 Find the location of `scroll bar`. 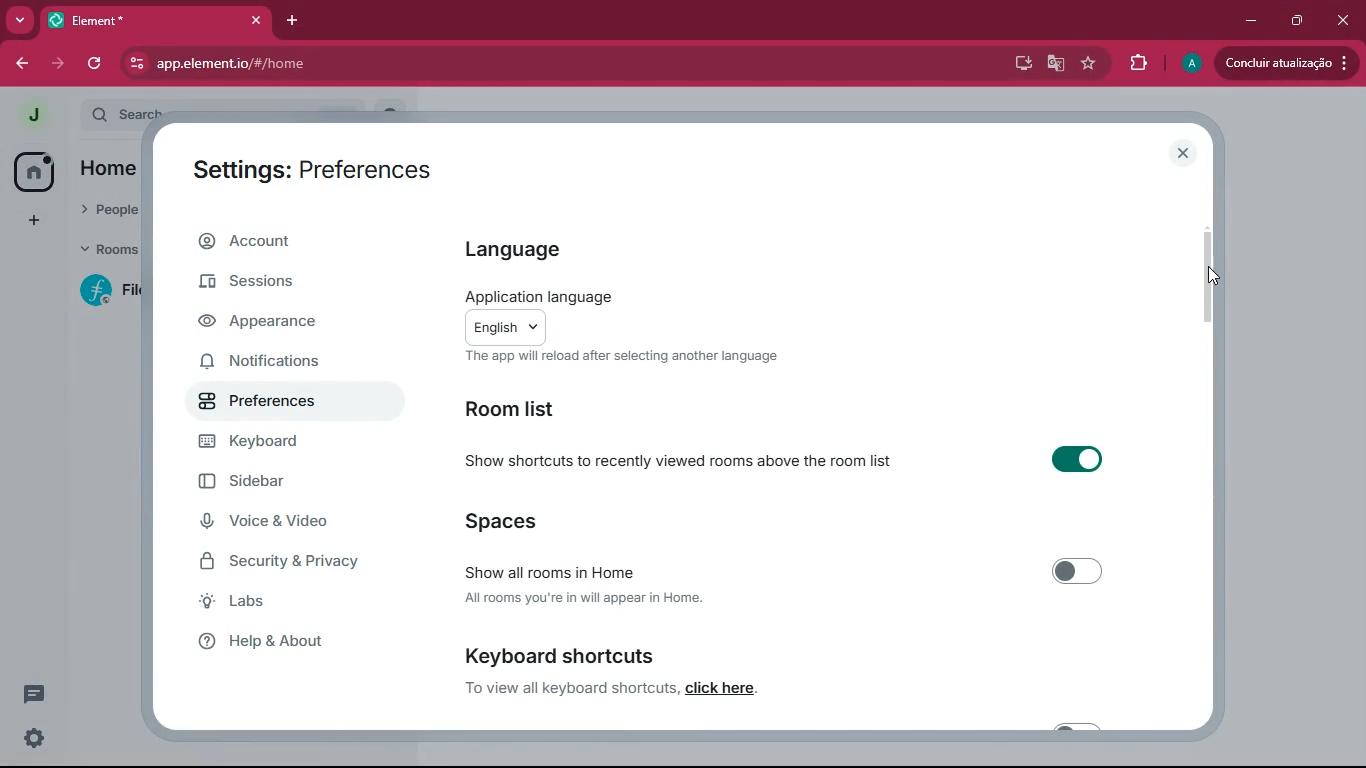

scroll bar is located at coordinates (1206, 279).